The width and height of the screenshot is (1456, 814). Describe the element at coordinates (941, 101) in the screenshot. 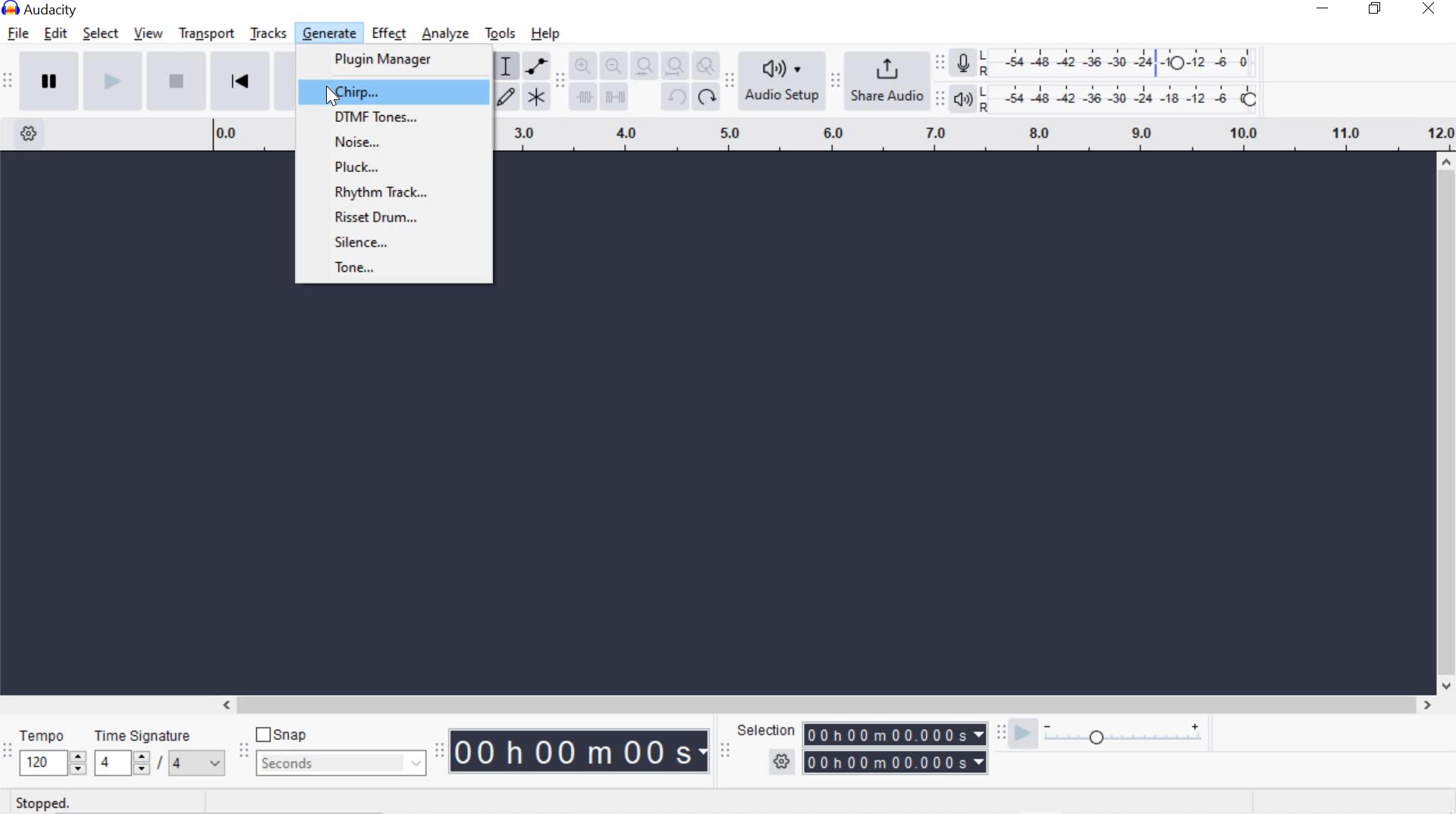

I see `Playback meter toolbar` at that location.